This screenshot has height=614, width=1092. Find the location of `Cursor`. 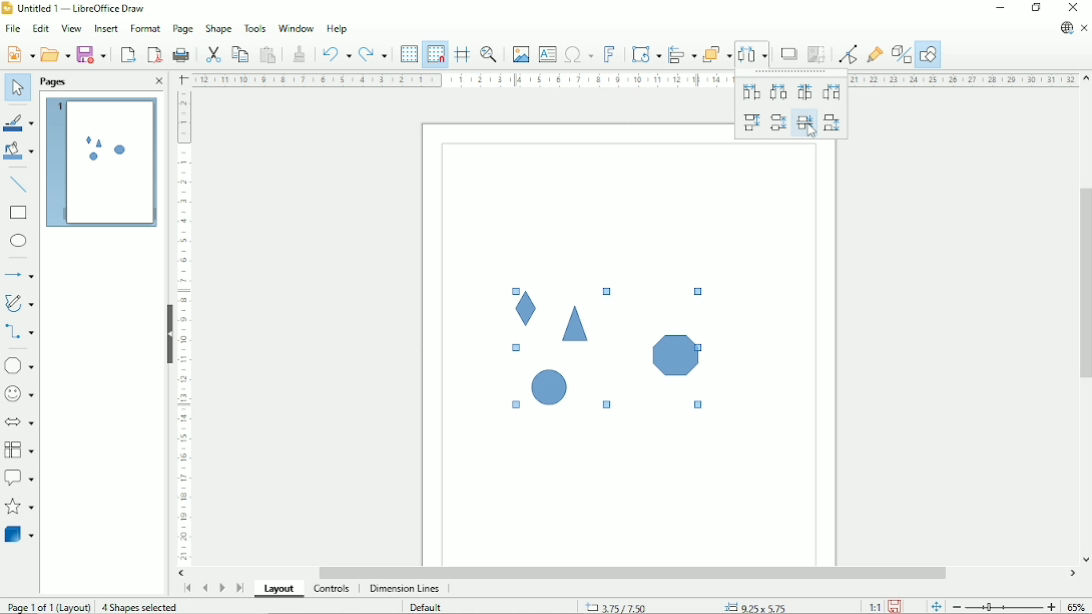

Cursor is located at coordinates (810, 131).